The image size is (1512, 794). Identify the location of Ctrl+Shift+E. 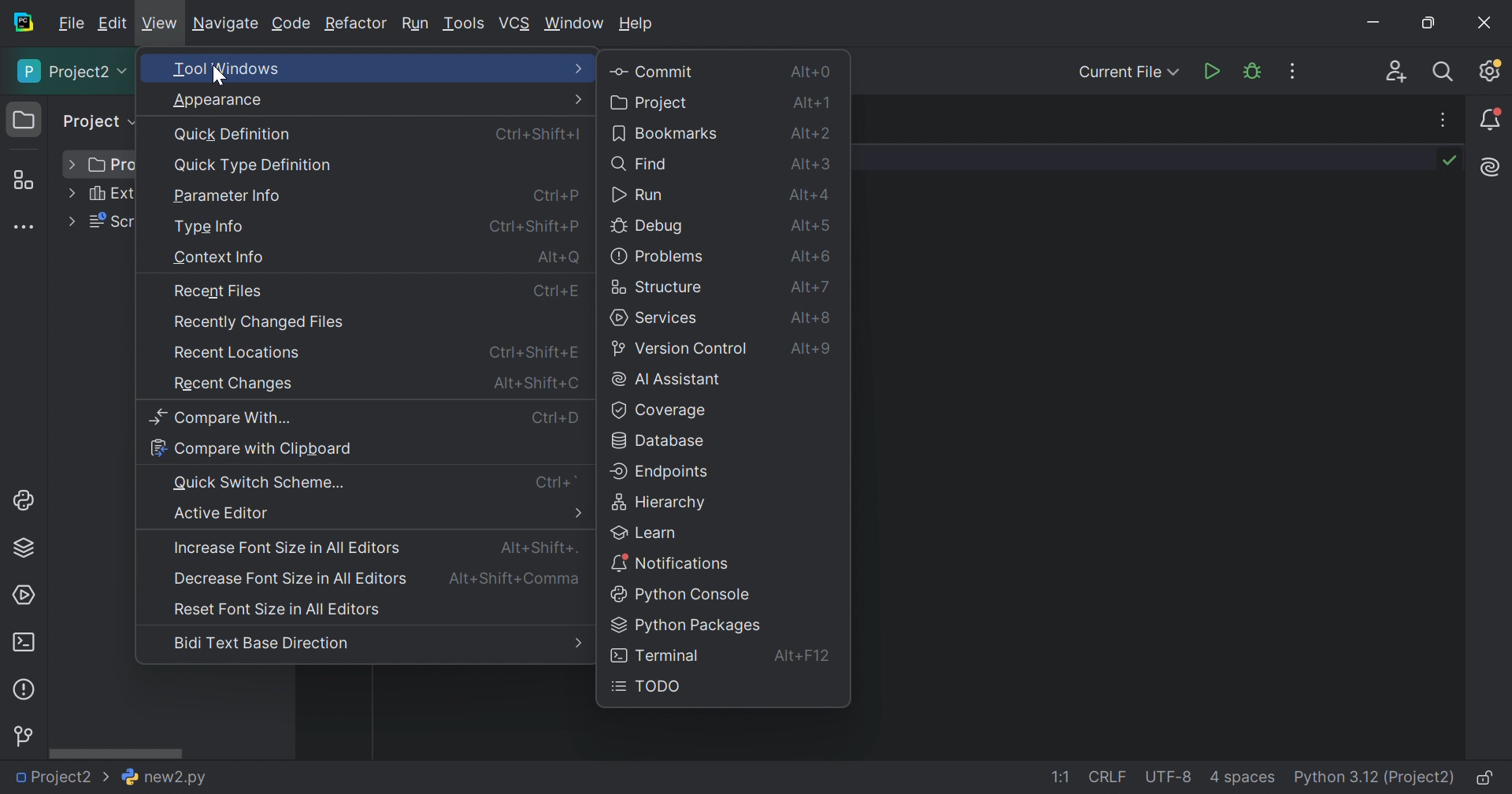
(530, 352).